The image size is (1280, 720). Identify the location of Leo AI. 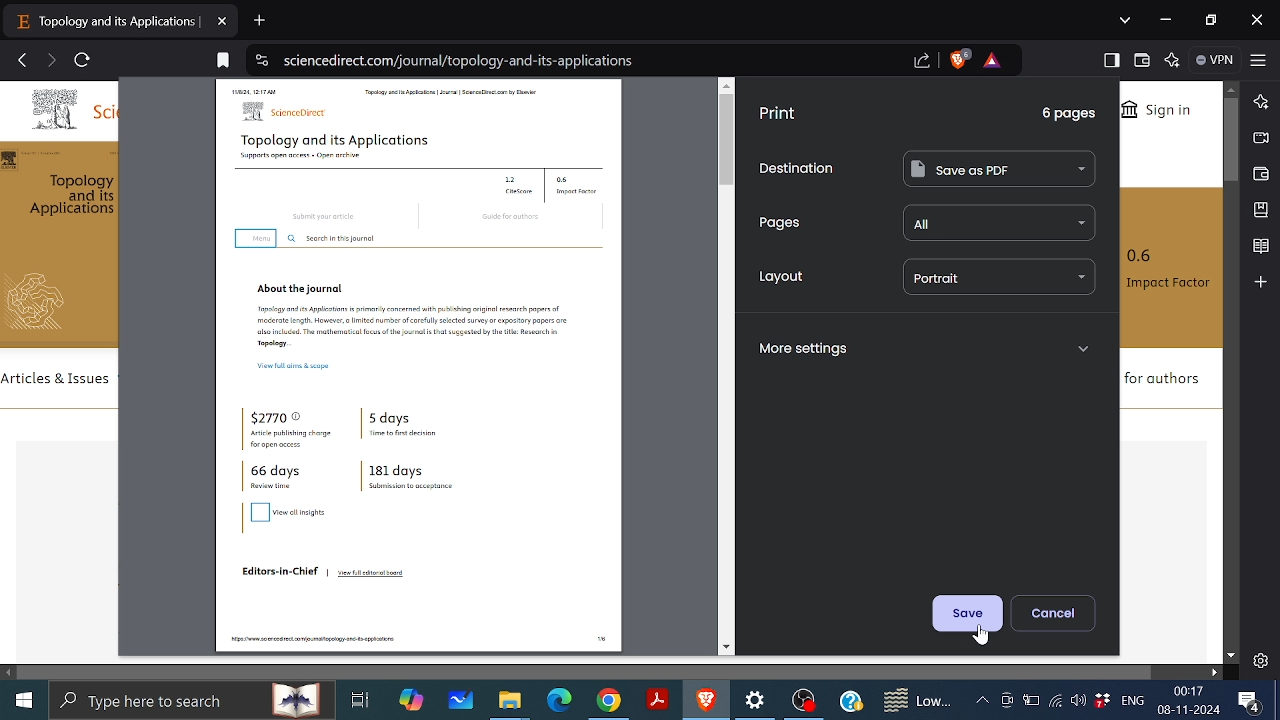
(1259, 102).